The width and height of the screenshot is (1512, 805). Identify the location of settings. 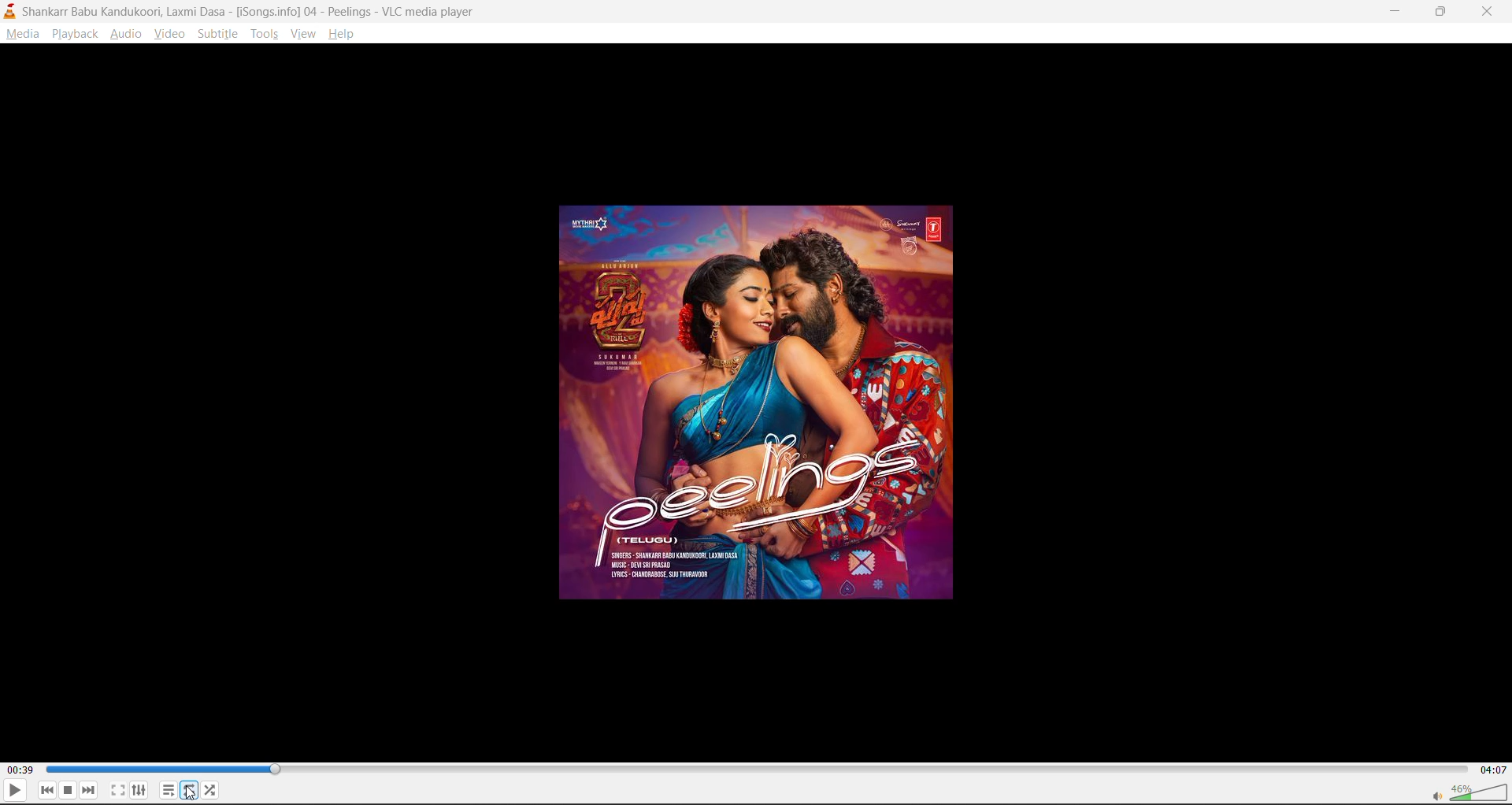
(137, 790).